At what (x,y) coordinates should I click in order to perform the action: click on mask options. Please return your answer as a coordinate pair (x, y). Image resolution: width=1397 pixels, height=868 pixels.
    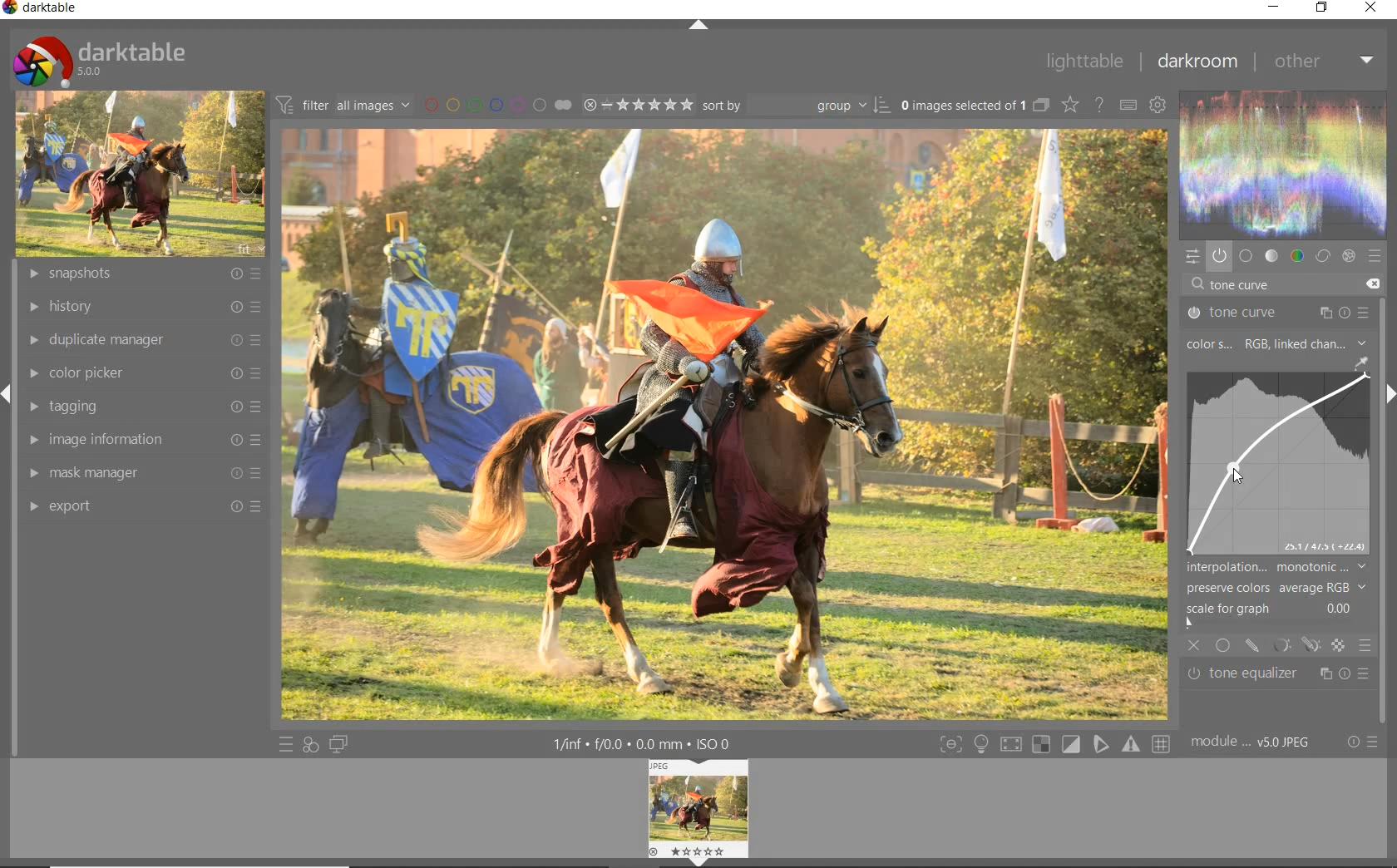
    Looking at the image, I should click on (1294, 645).